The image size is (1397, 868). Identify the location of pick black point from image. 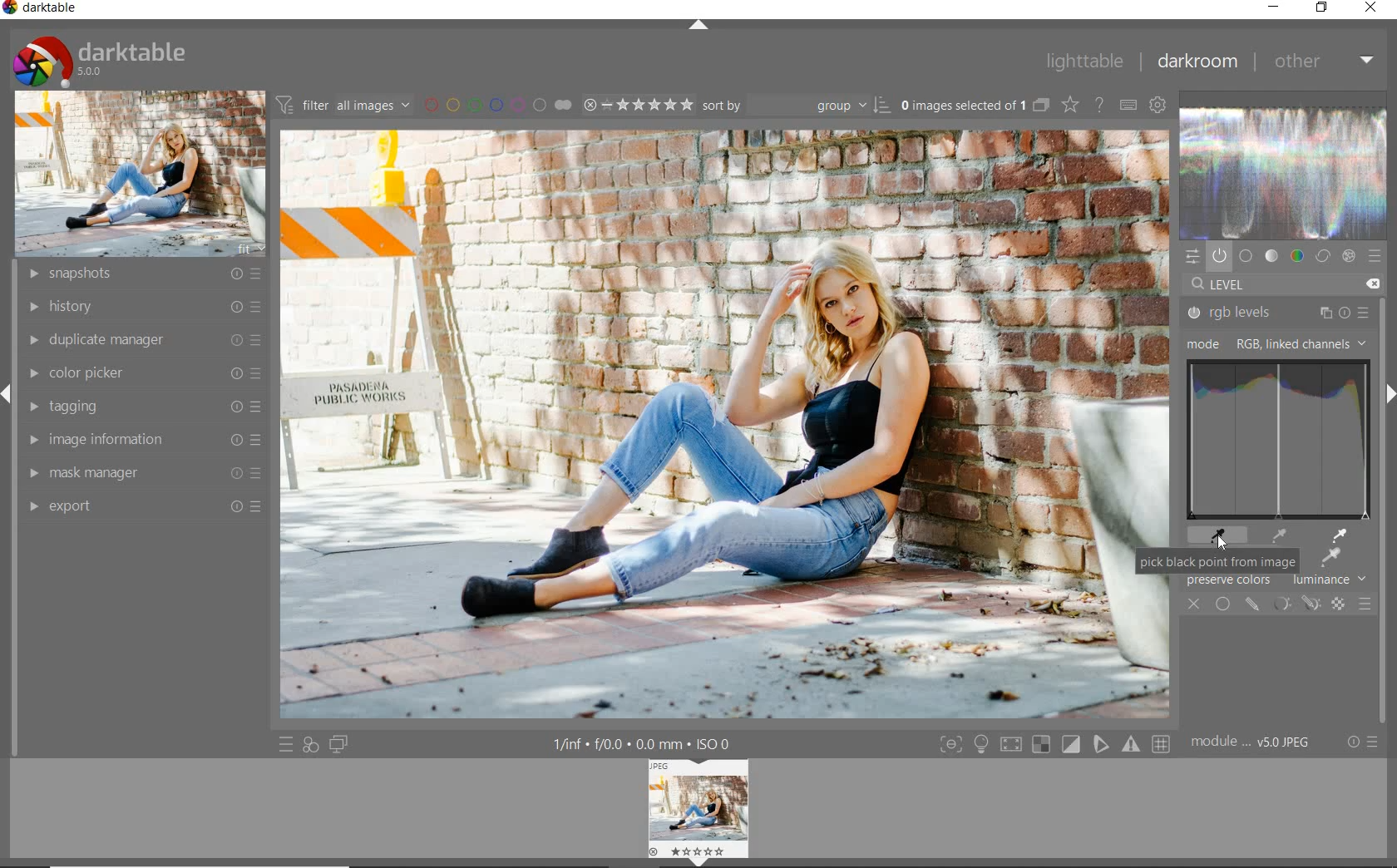
(1221, 560).